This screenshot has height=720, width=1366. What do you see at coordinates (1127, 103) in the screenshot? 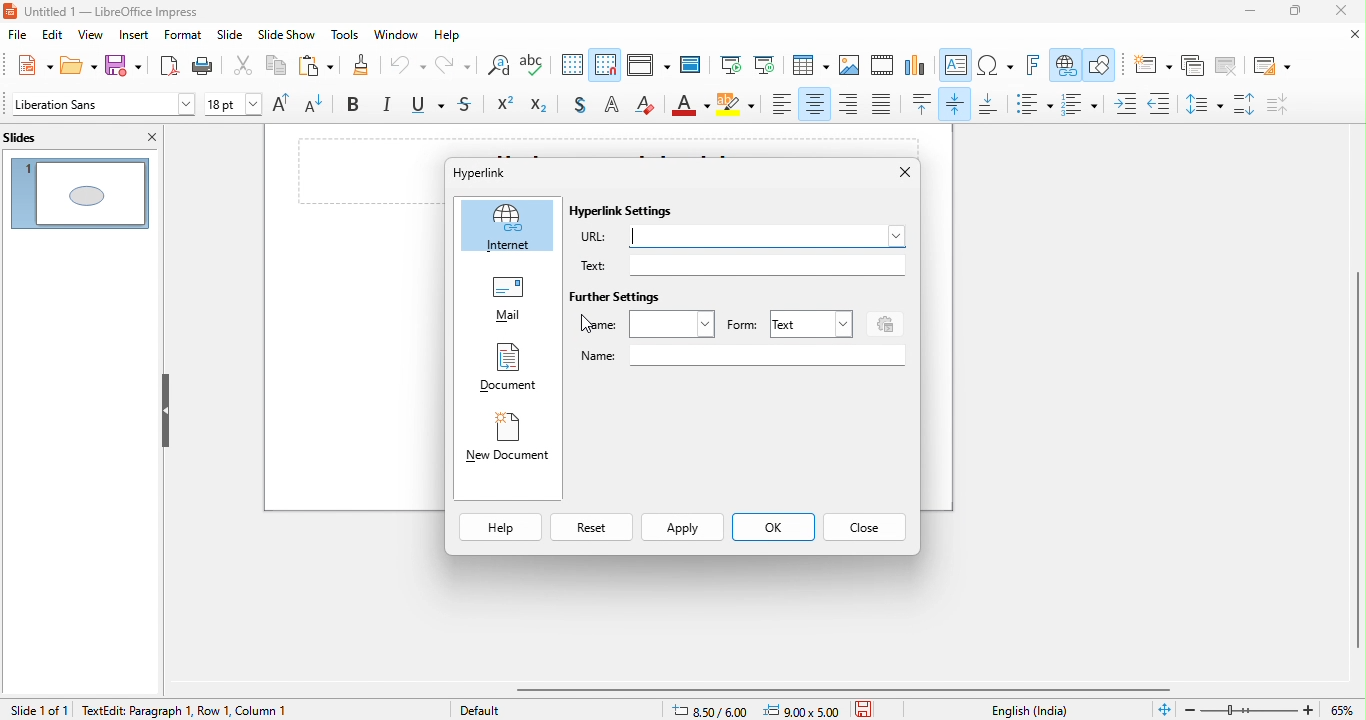
I see `increase indent` at bounding box center [1127, 103].